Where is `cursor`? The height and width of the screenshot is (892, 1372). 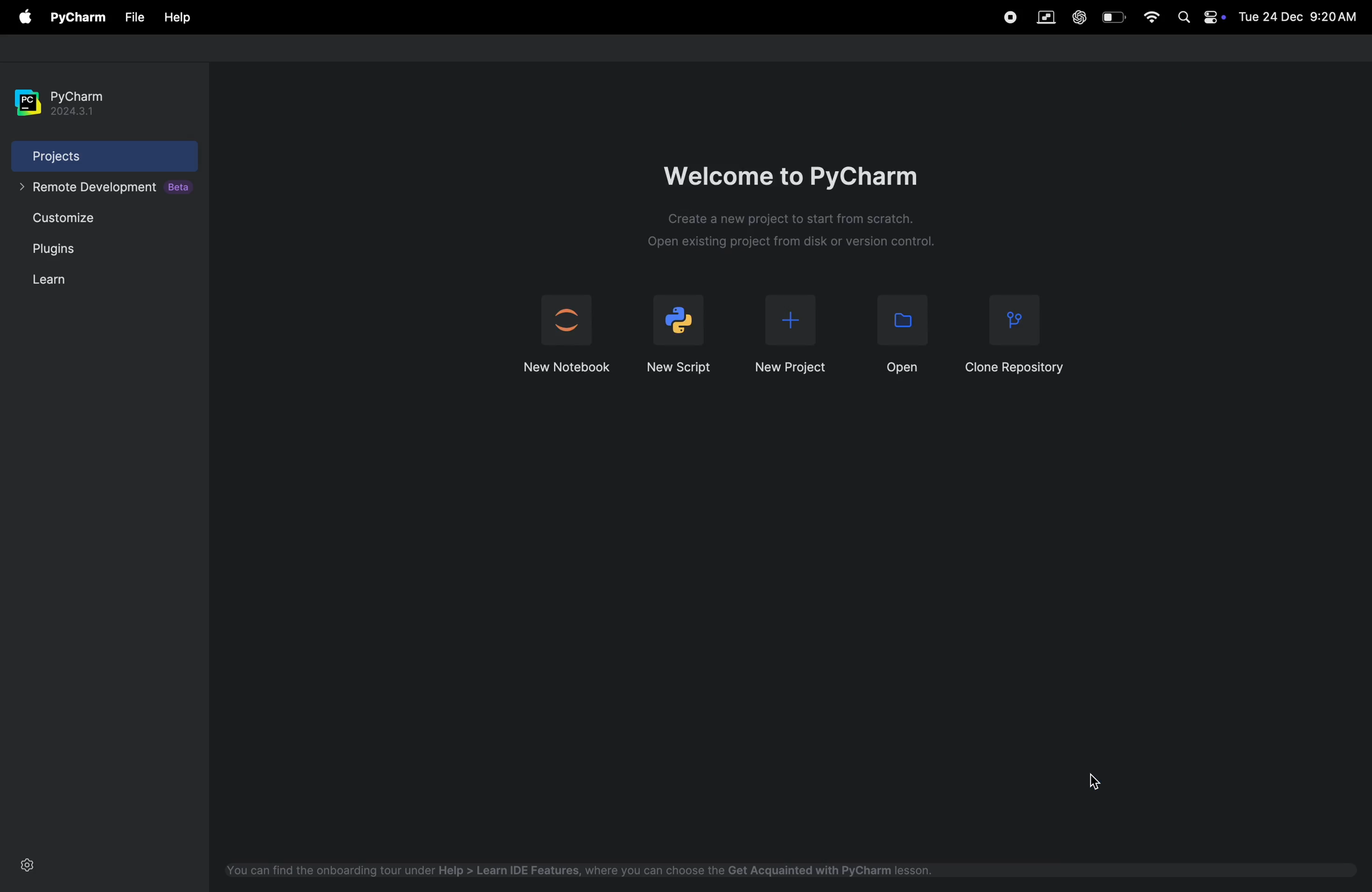 cursor is located at coordinates (1098, 781).